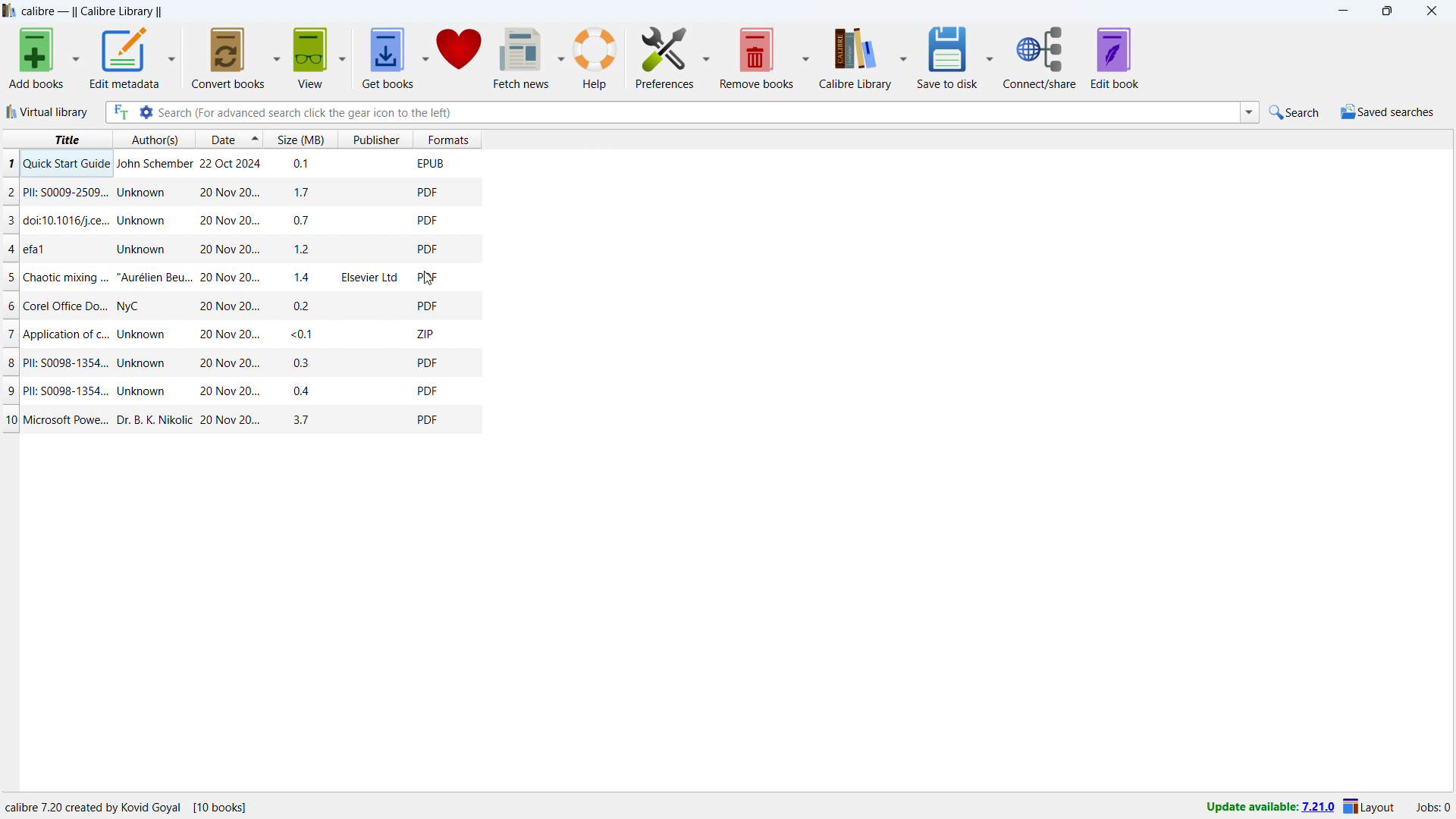  Describe the element at coordinates (265, 162) in the screenshot. I see `` at that location.